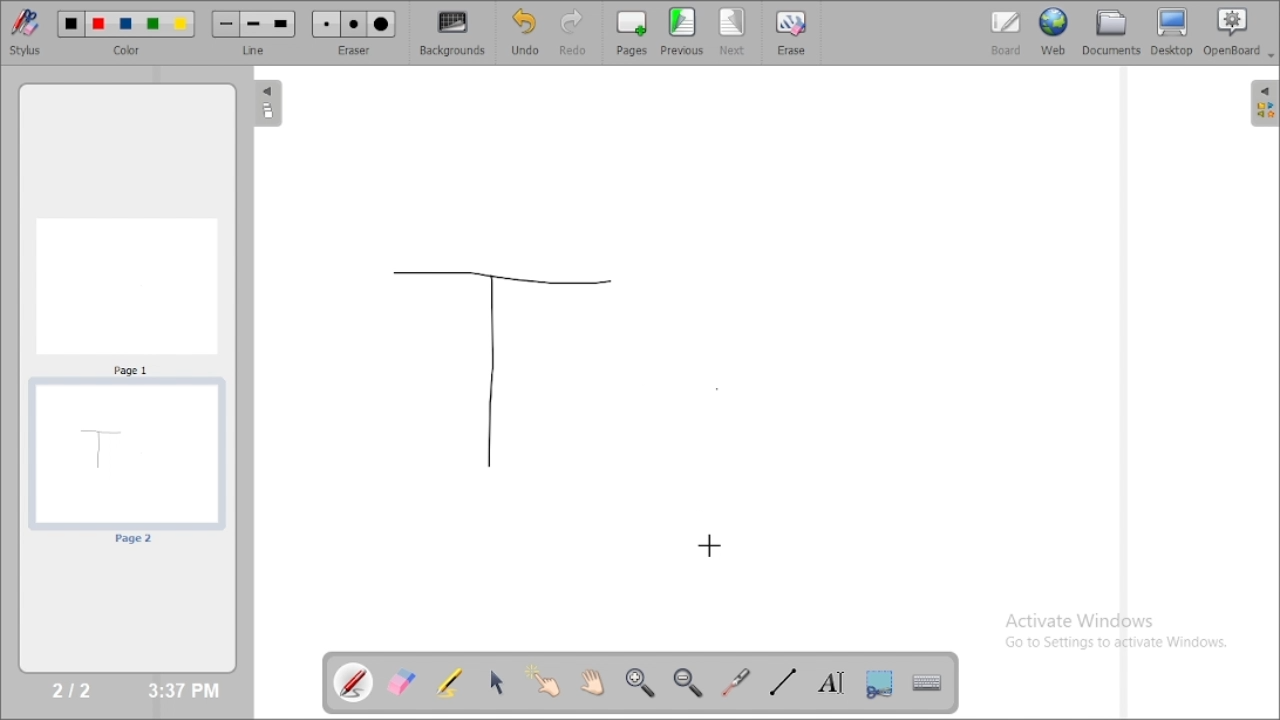 This screenshot has width=1280, height=720. Describe the element at coordinates (639, 683) in the screenshot. I see `zoom in` at that location.